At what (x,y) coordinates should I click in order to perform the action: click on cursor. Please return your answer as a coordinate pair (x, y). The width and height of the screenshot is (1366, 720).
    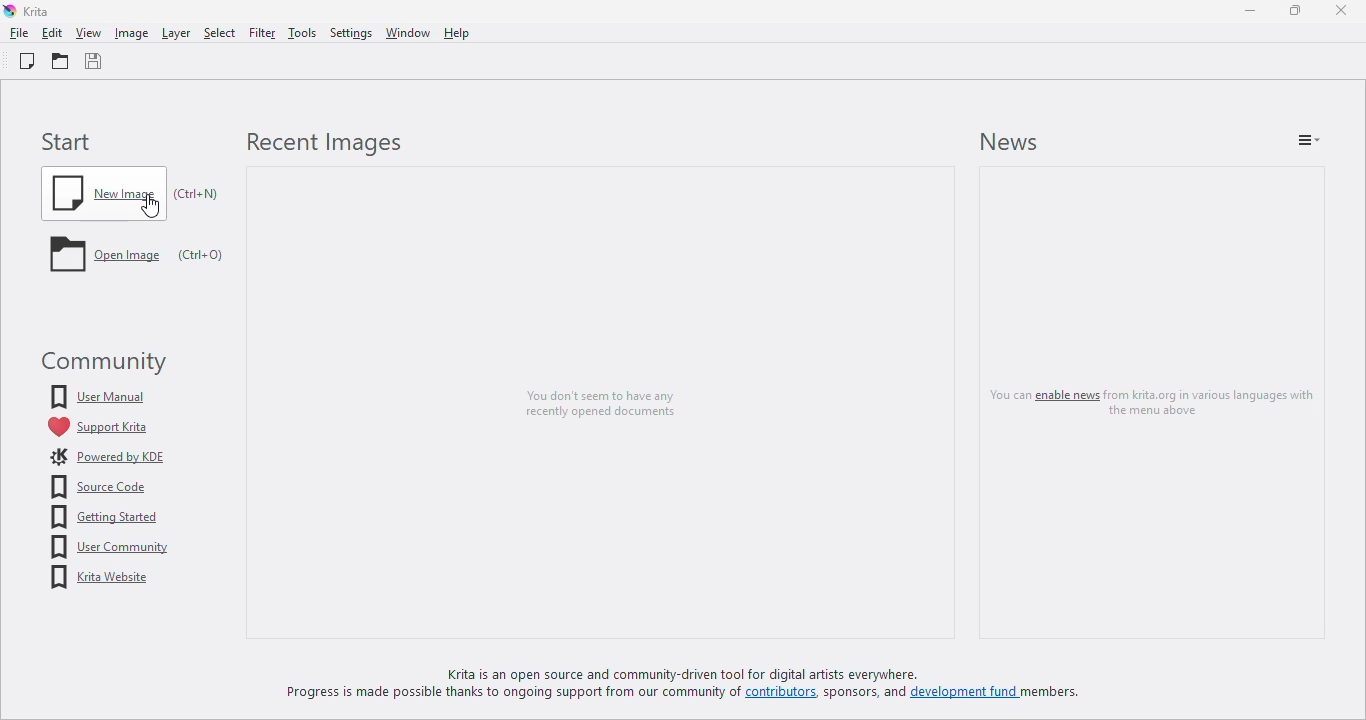
    Looking at the image, I should click on (150, 206).